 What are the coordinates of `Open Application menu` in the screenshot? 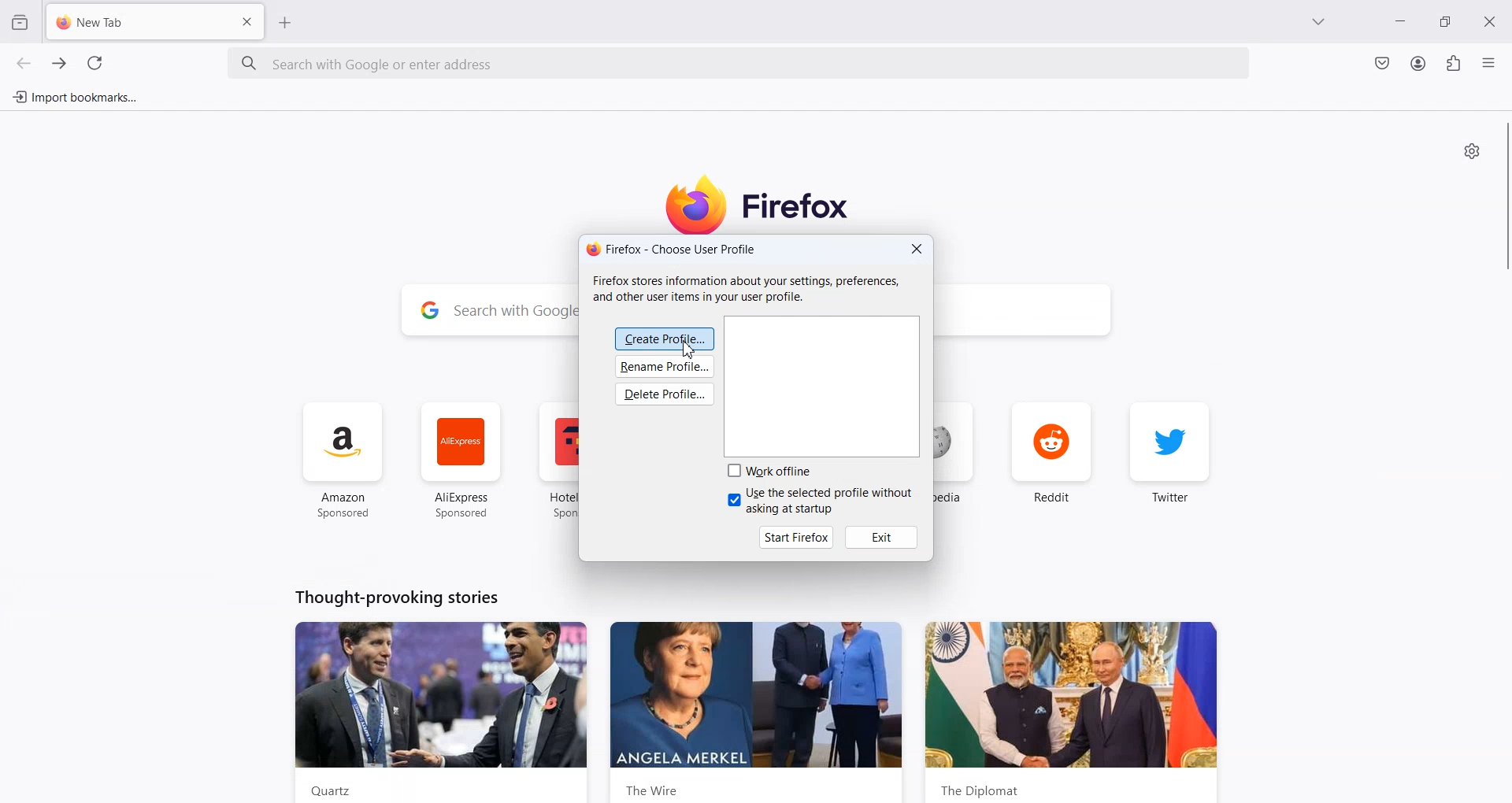 It's located at (1490, 62).